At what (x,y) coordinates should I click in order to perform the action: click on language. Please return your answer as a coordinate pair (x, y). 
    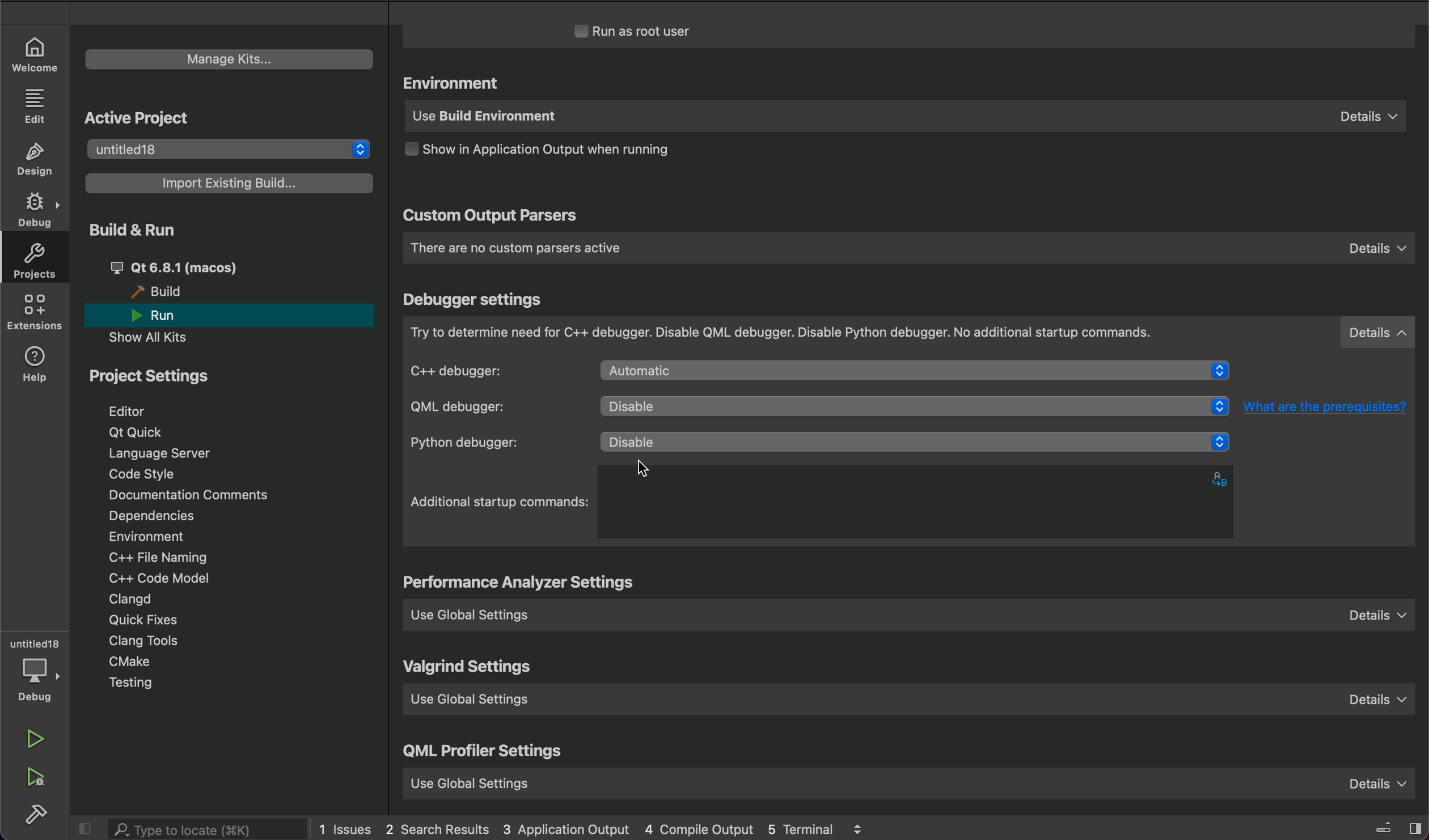
    Looking at the image, I should click on (169, 453).